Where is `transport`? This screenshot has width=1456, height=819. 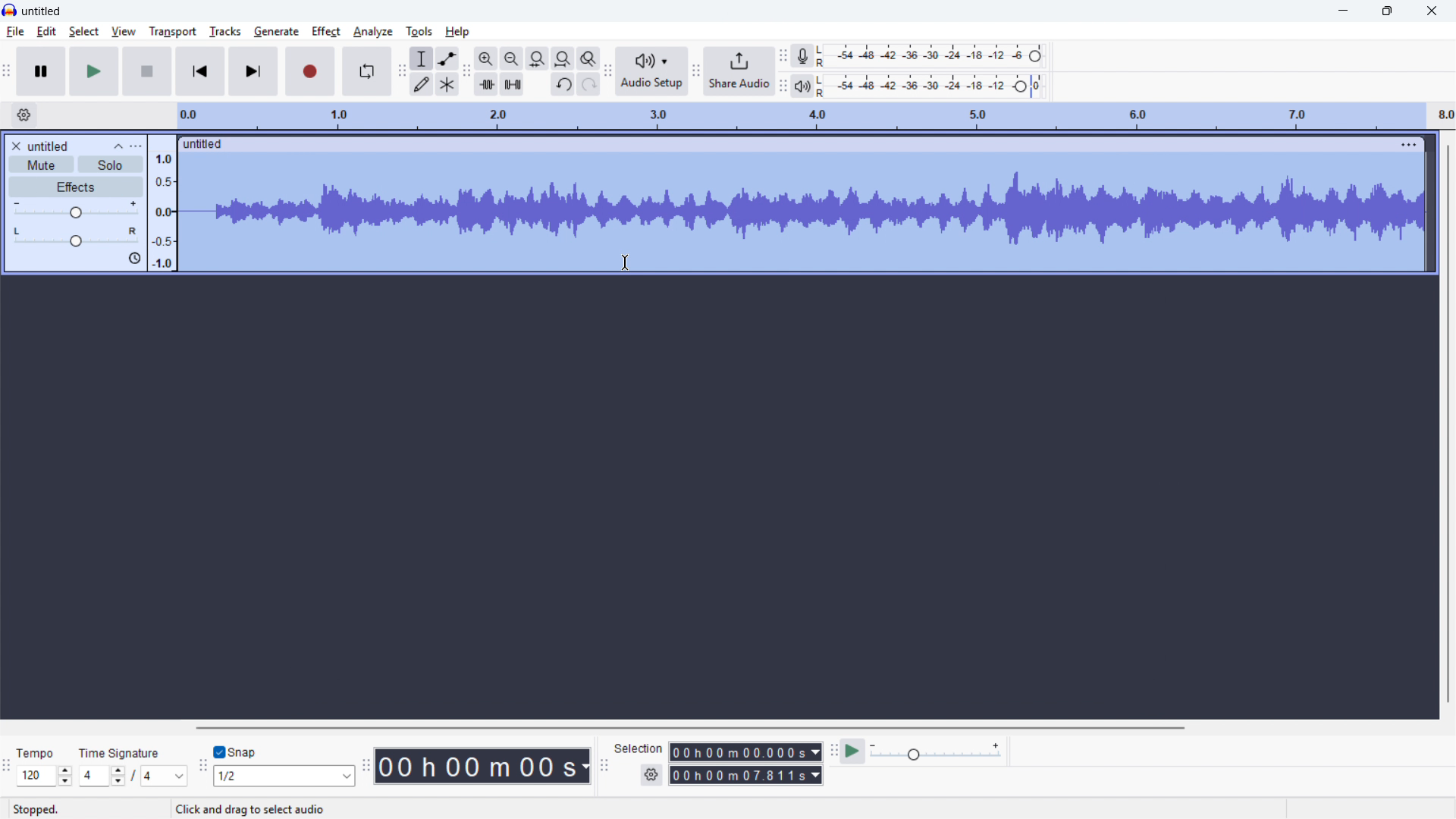 transport is located at coordinates (171, 32).